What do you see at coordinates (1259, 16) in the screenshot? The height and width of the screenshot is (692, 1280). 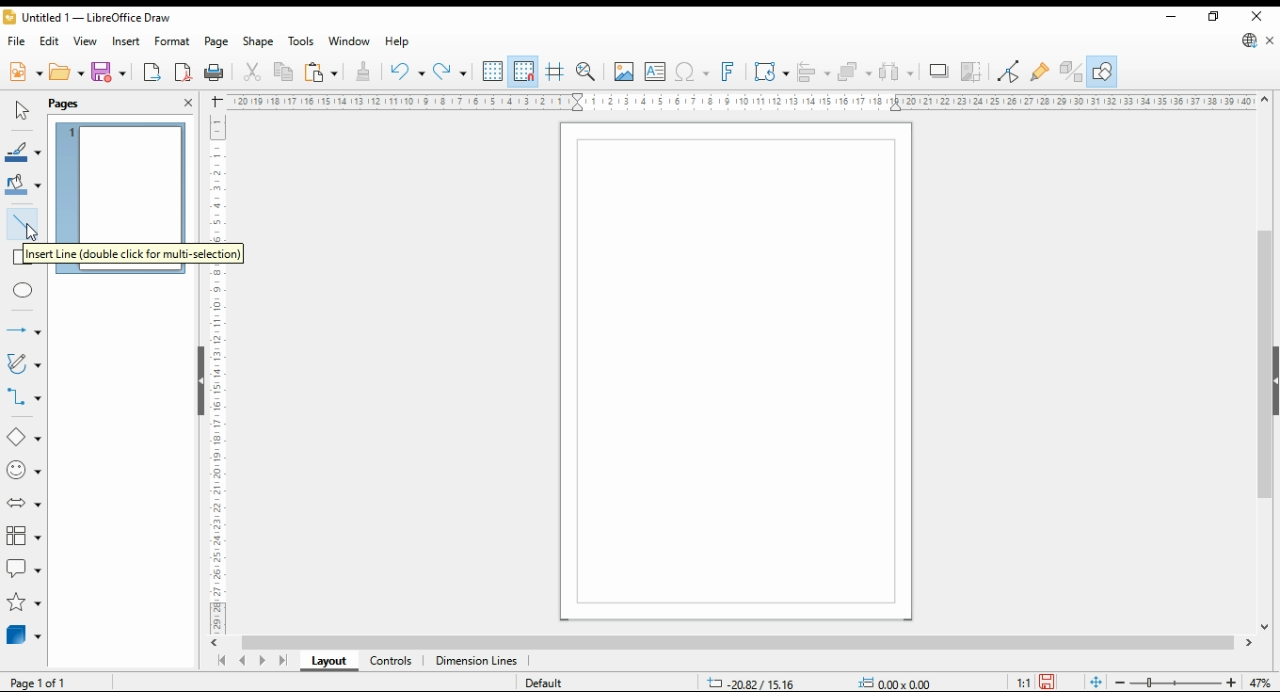 I see `close window` at bounding box center [1259, 16].